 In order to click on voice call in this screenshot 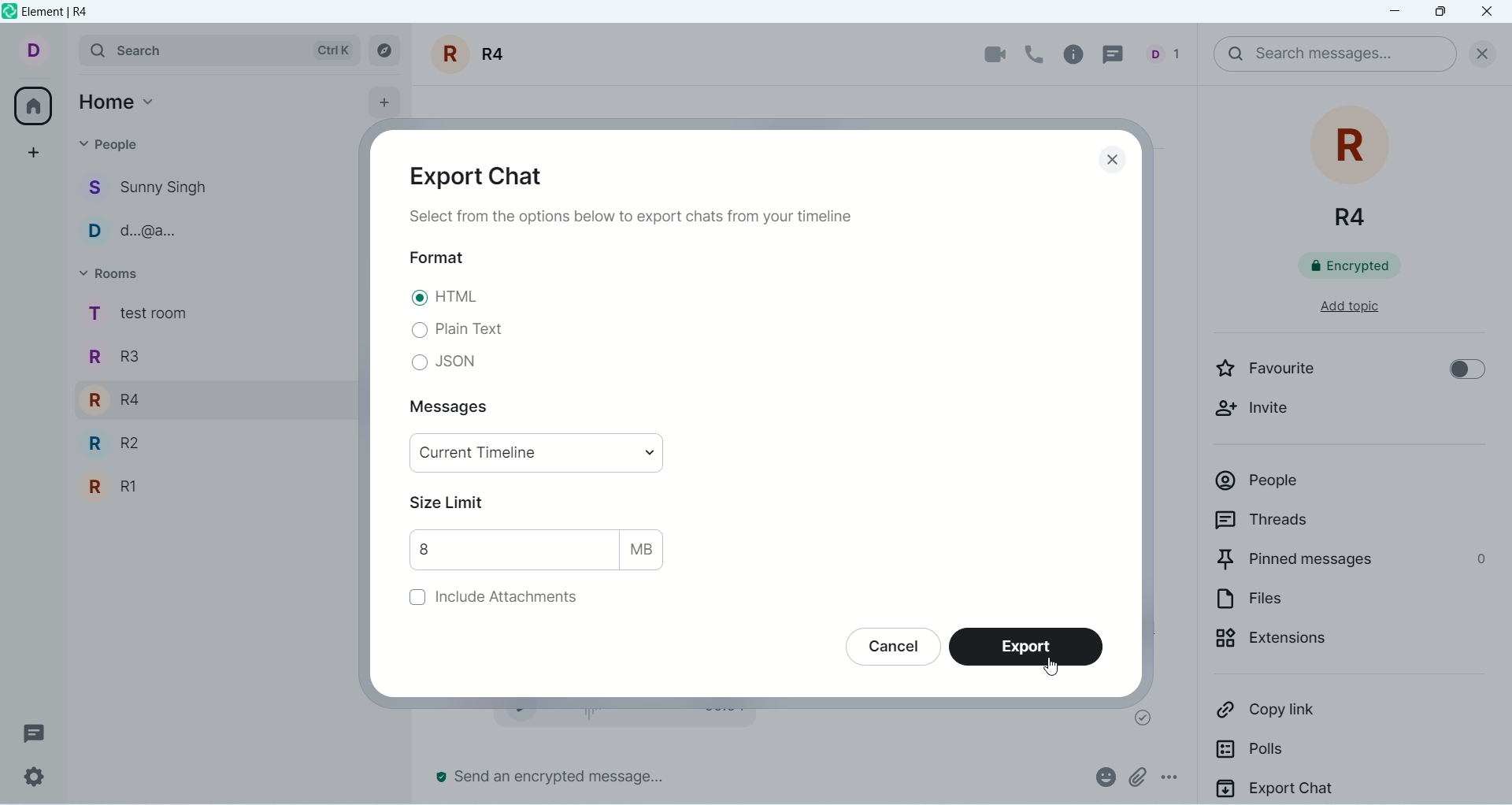, I will do `click(1036, 53)`.